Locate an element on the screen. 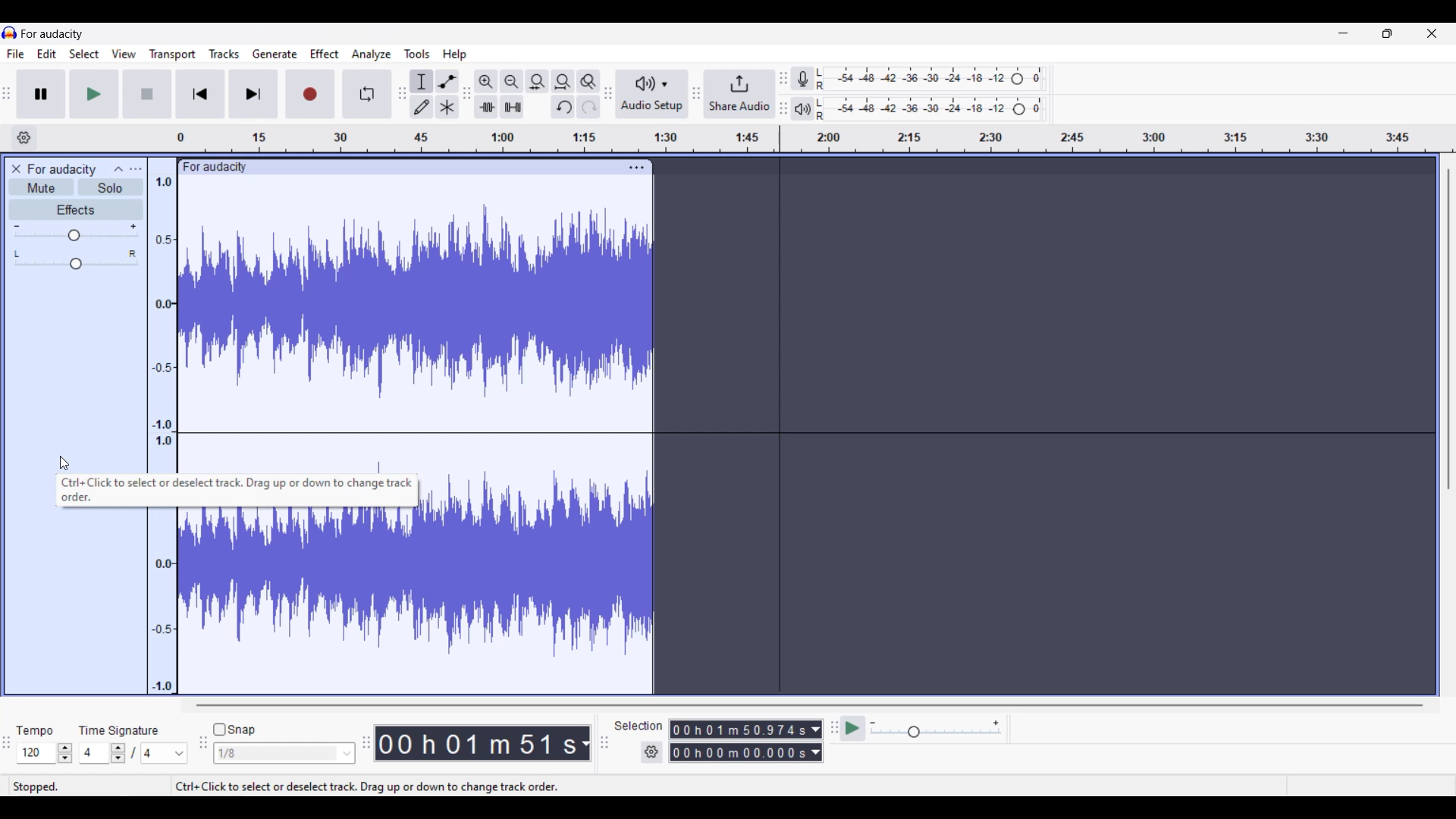 Image resolution: width=1456 pixels, height=819 pixels. Record/Record new is located at coordinates (311, 94).